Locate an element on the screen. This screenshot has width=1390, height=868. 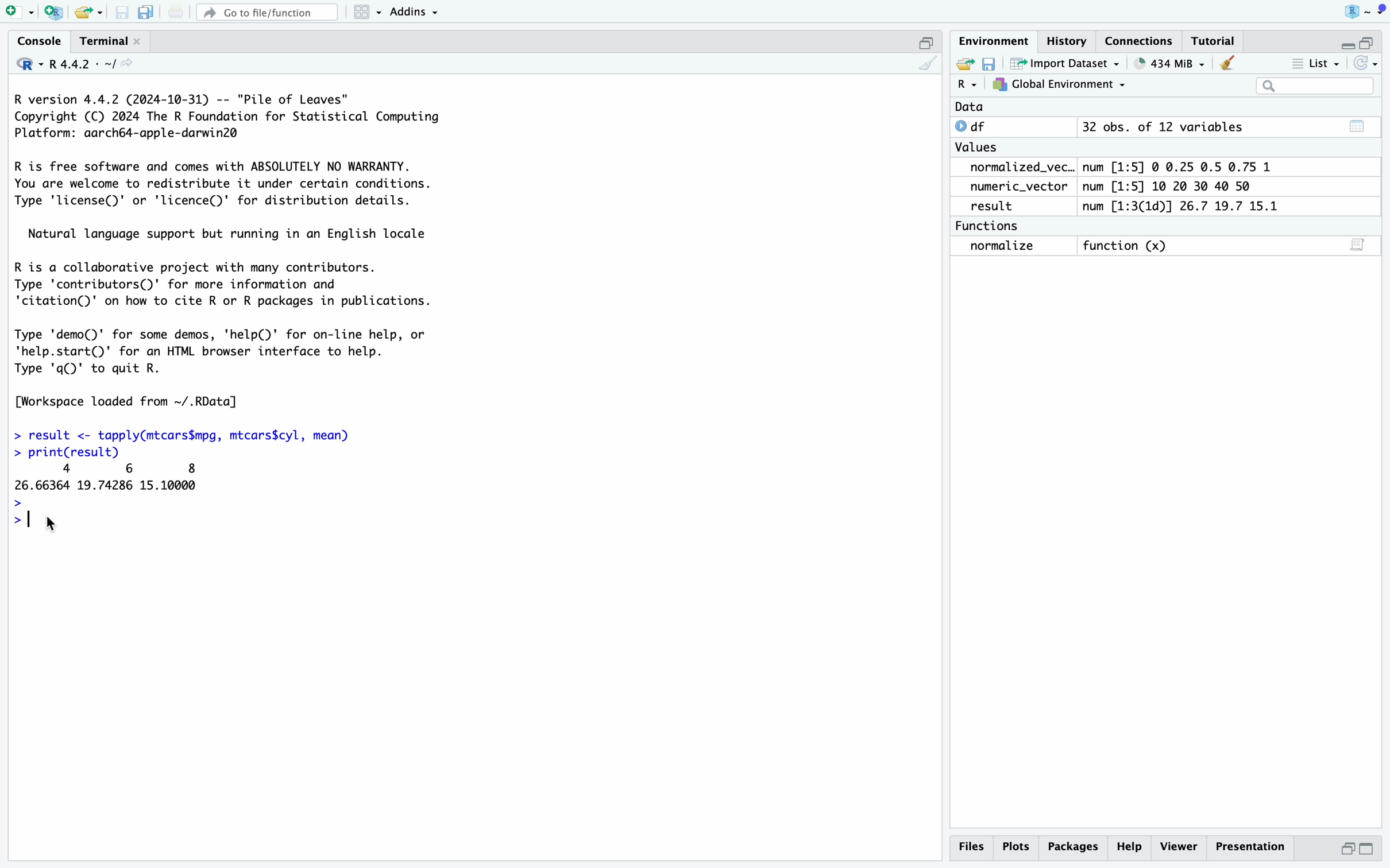
Files is located at coordinates (971, 847).